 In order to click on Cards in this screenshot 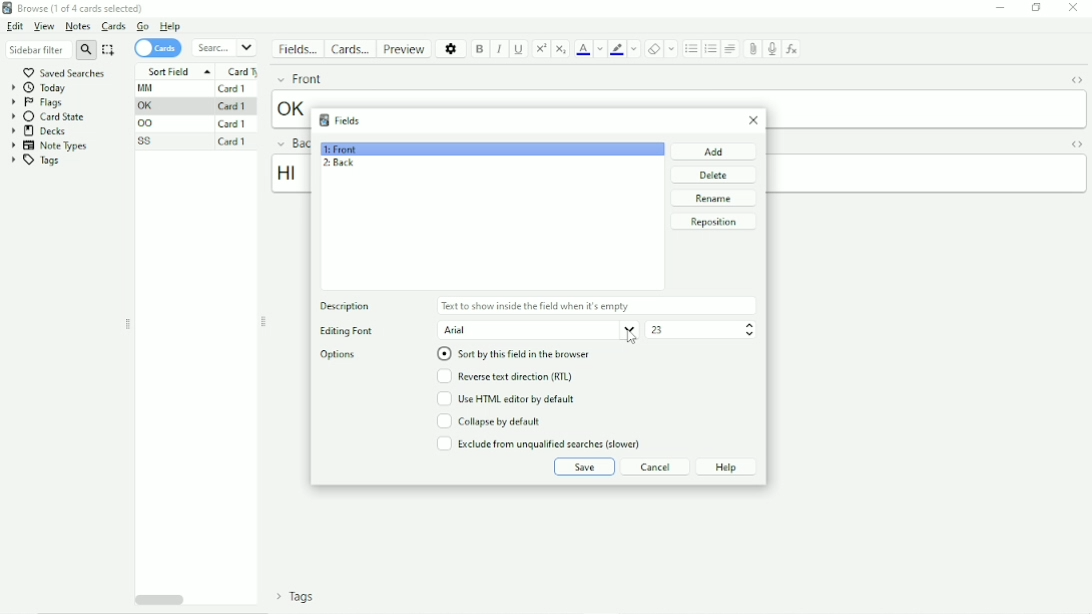, I will do `click(158, 48)`.